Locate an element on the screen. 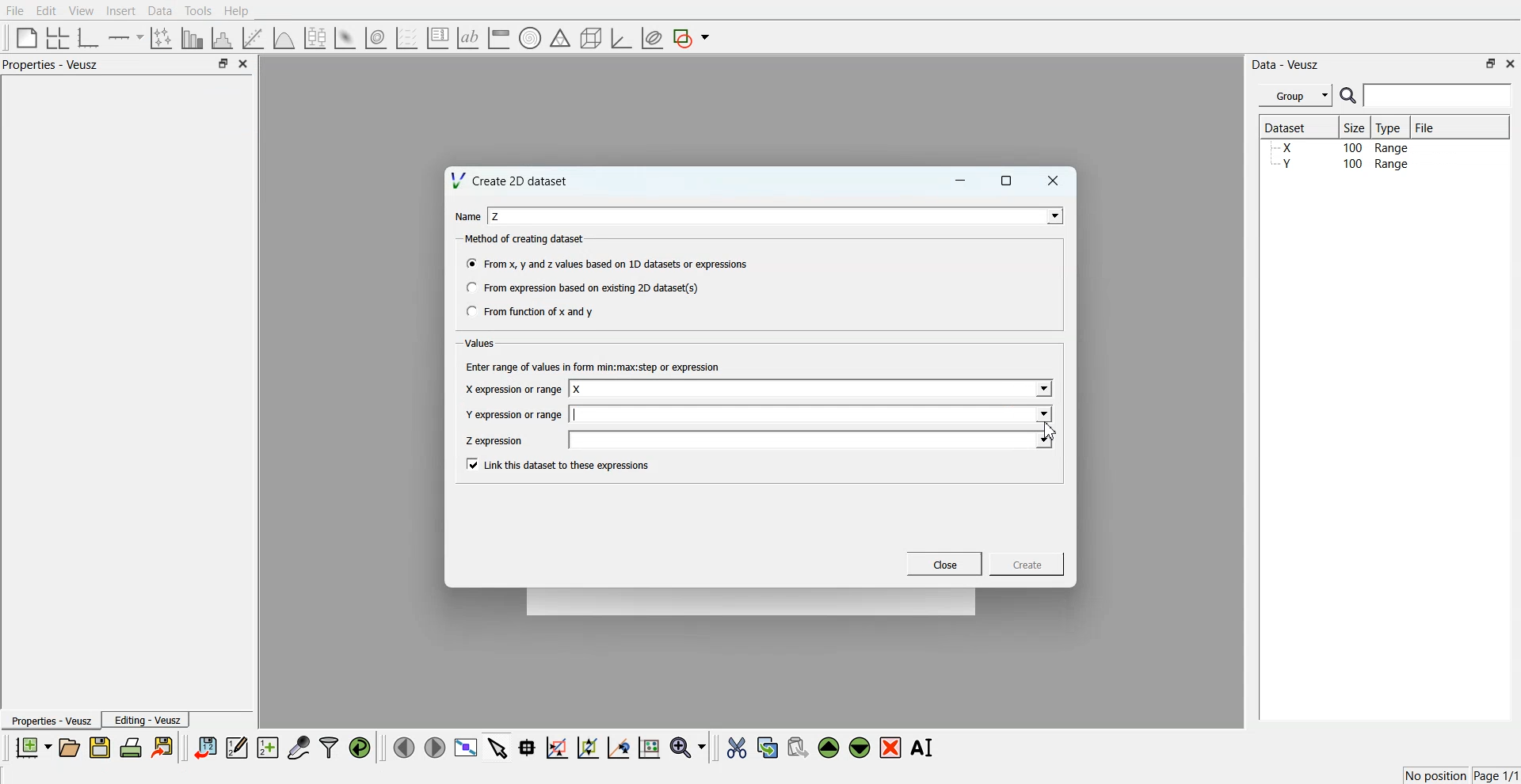 This screenshot has height=784, width=1521. Text label is located at coordinates (468, 38).